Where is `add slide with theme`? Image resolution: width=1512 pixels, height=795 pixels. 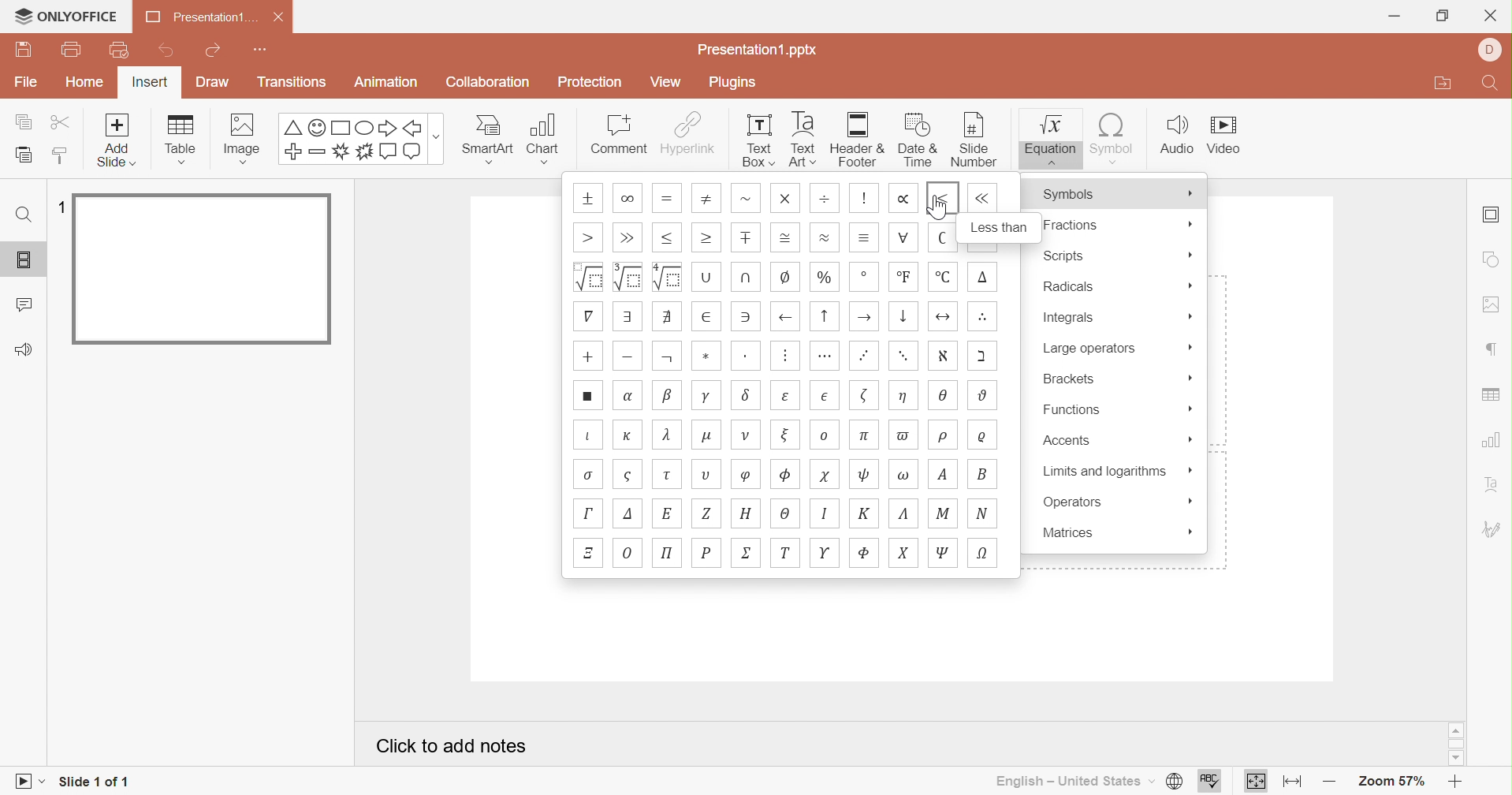
add slide with theme is located at coordinates (114, 156).